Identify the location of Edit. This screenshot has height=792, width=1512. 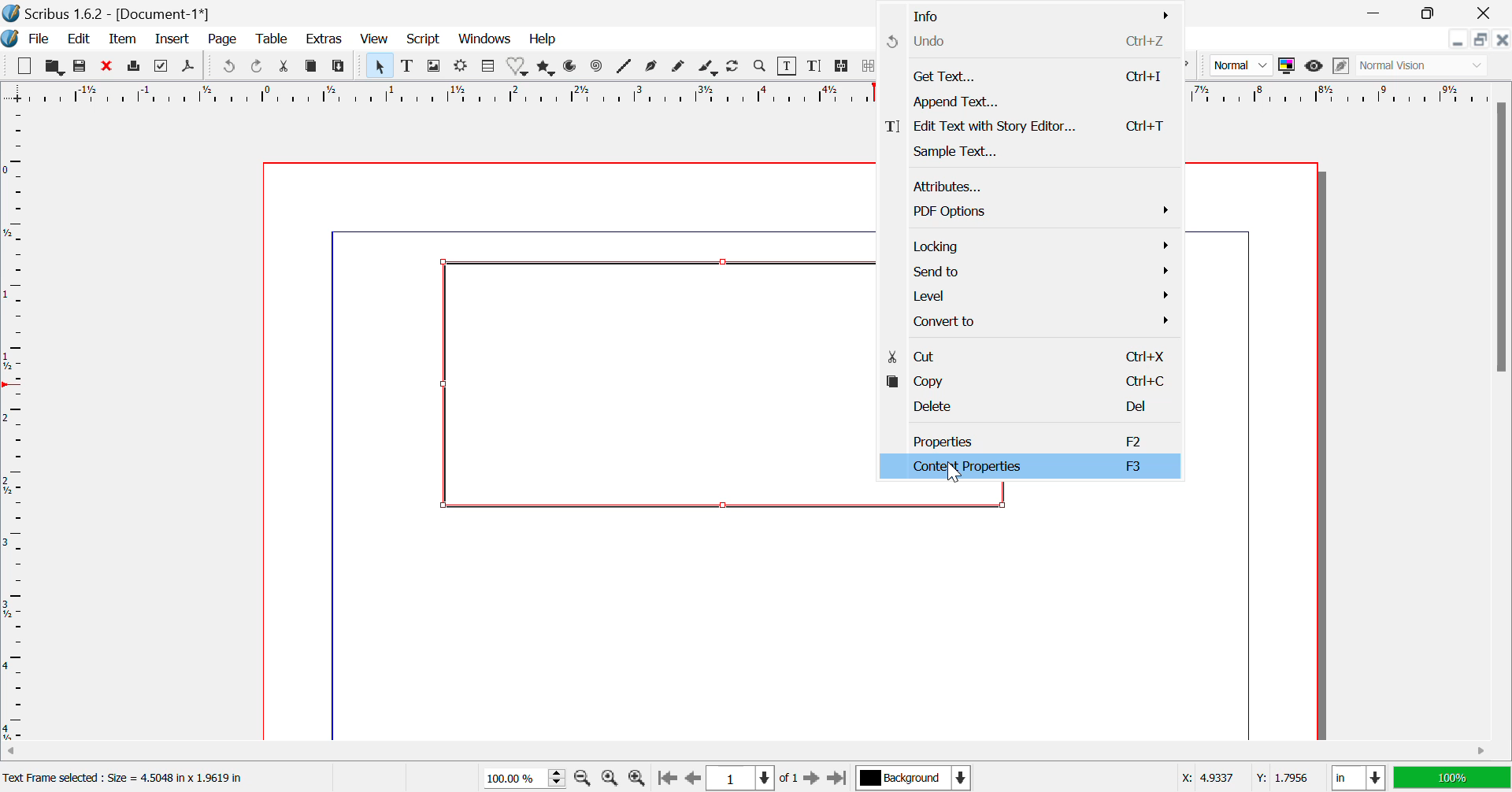
(81, 41).